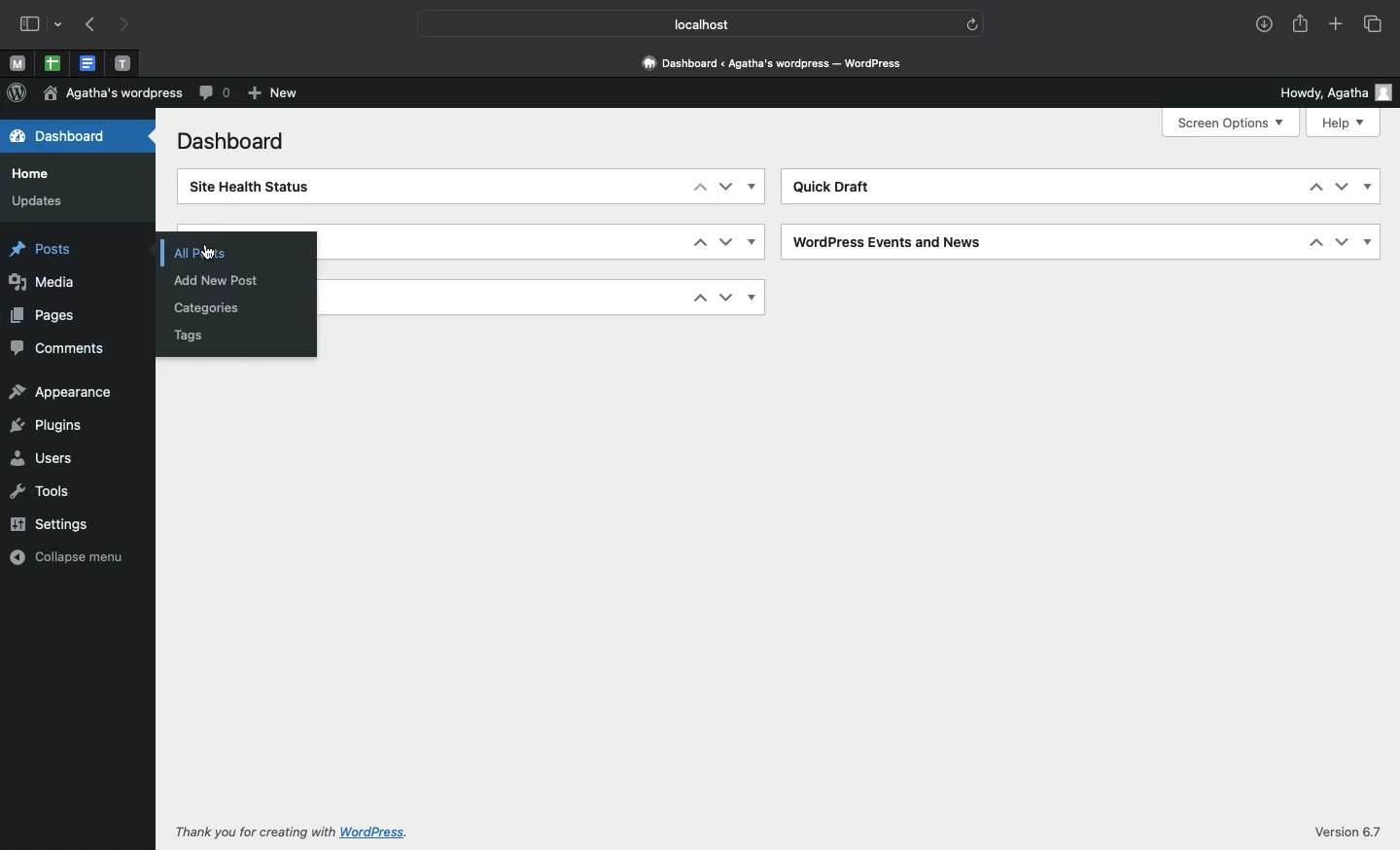 This screenshot has height=850, width=1400. I want to click on Thank you for creating with wordpress, so click(294, 832).